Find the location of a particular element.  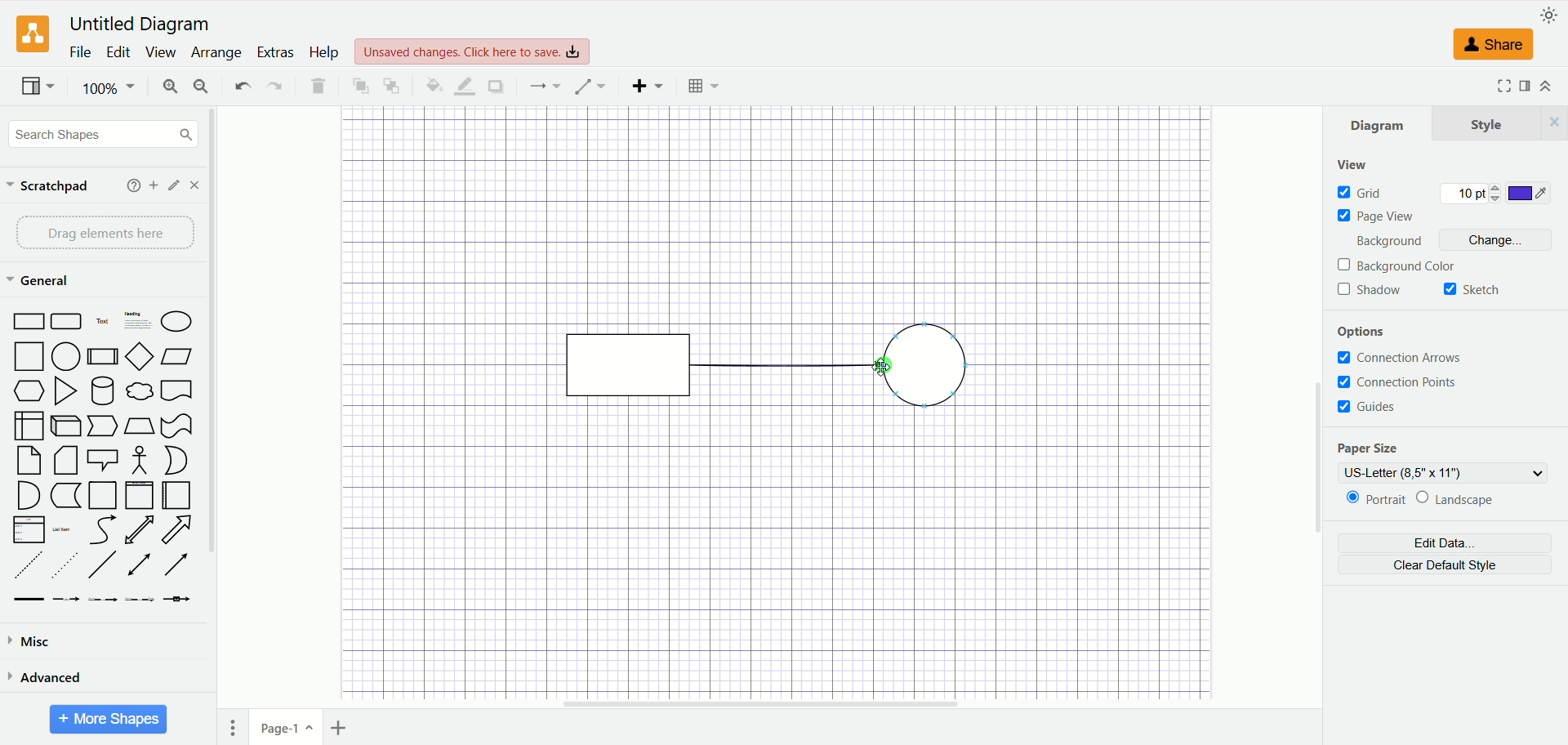

Table is located at coordinates (703, 86).